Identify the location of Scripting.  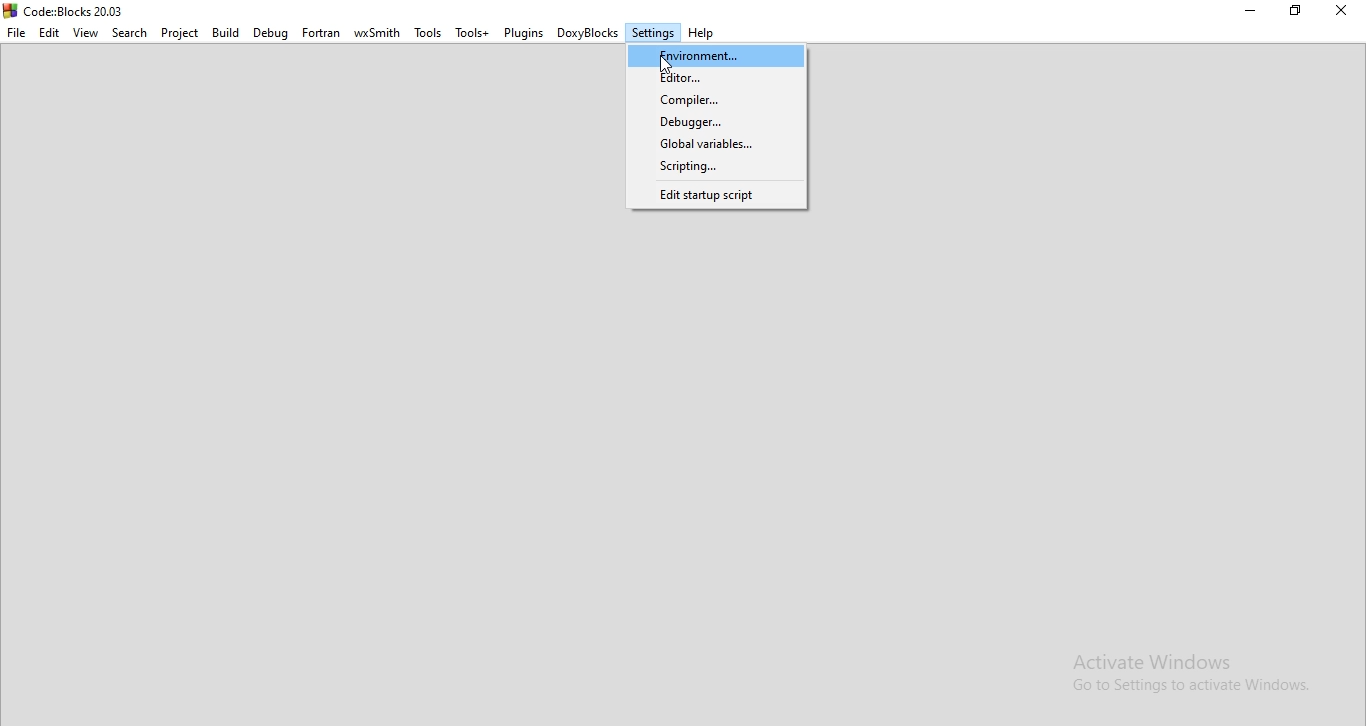
(714, 168).